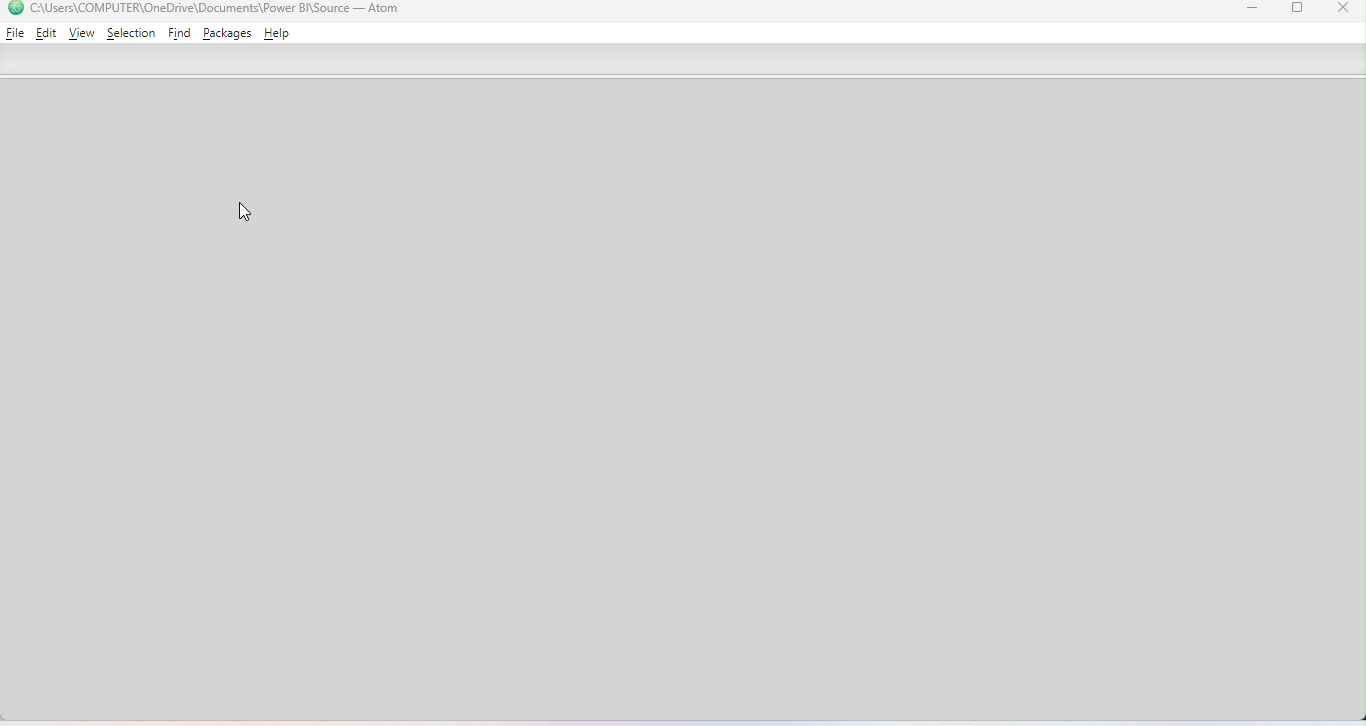 The width and height of the screenshot is (1366, 726). I want to click on File, so click(16, 32).